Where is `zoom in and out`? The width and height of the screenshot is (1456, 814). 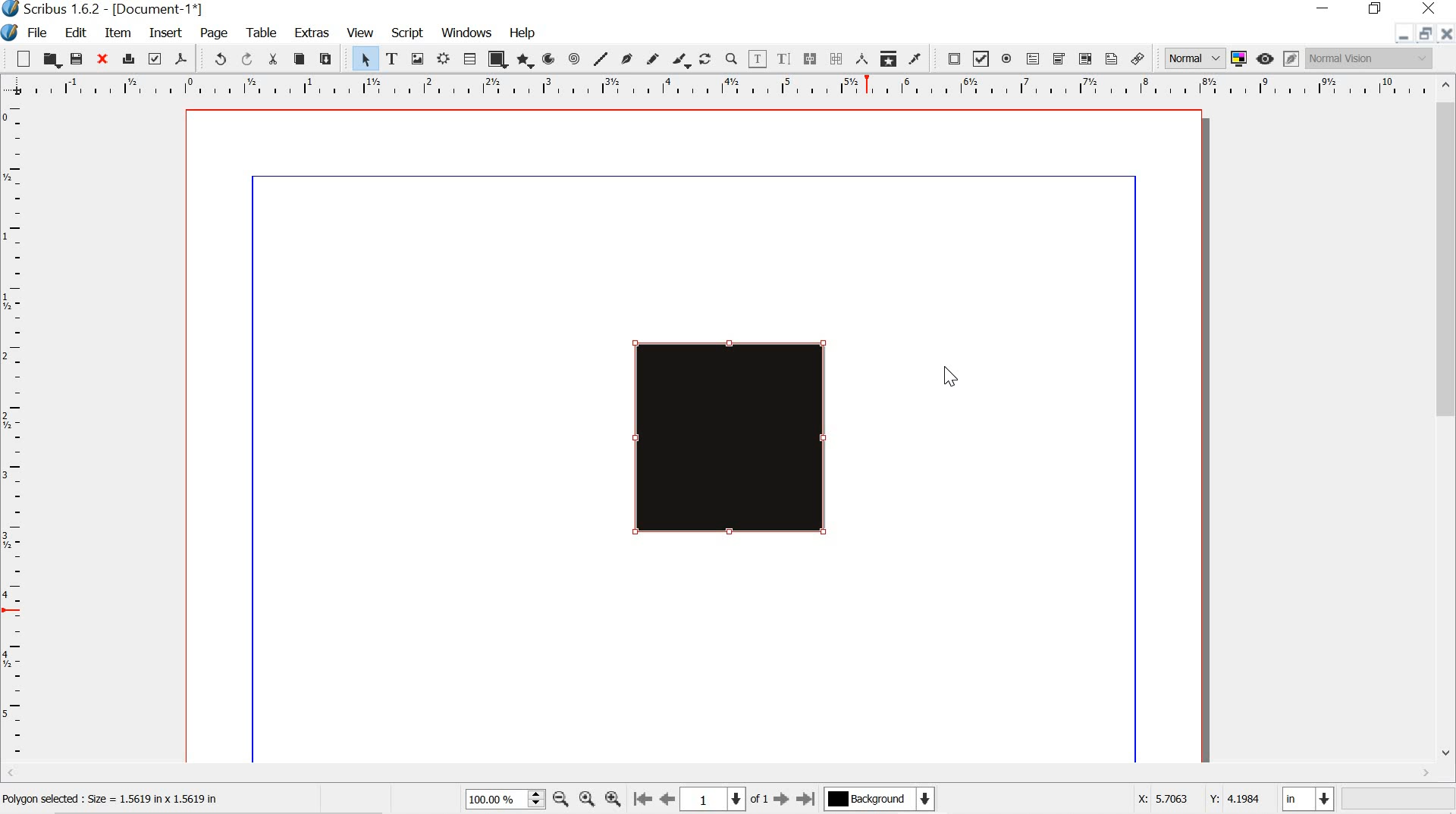
zoom in and out is located at coordinates (534, 799).